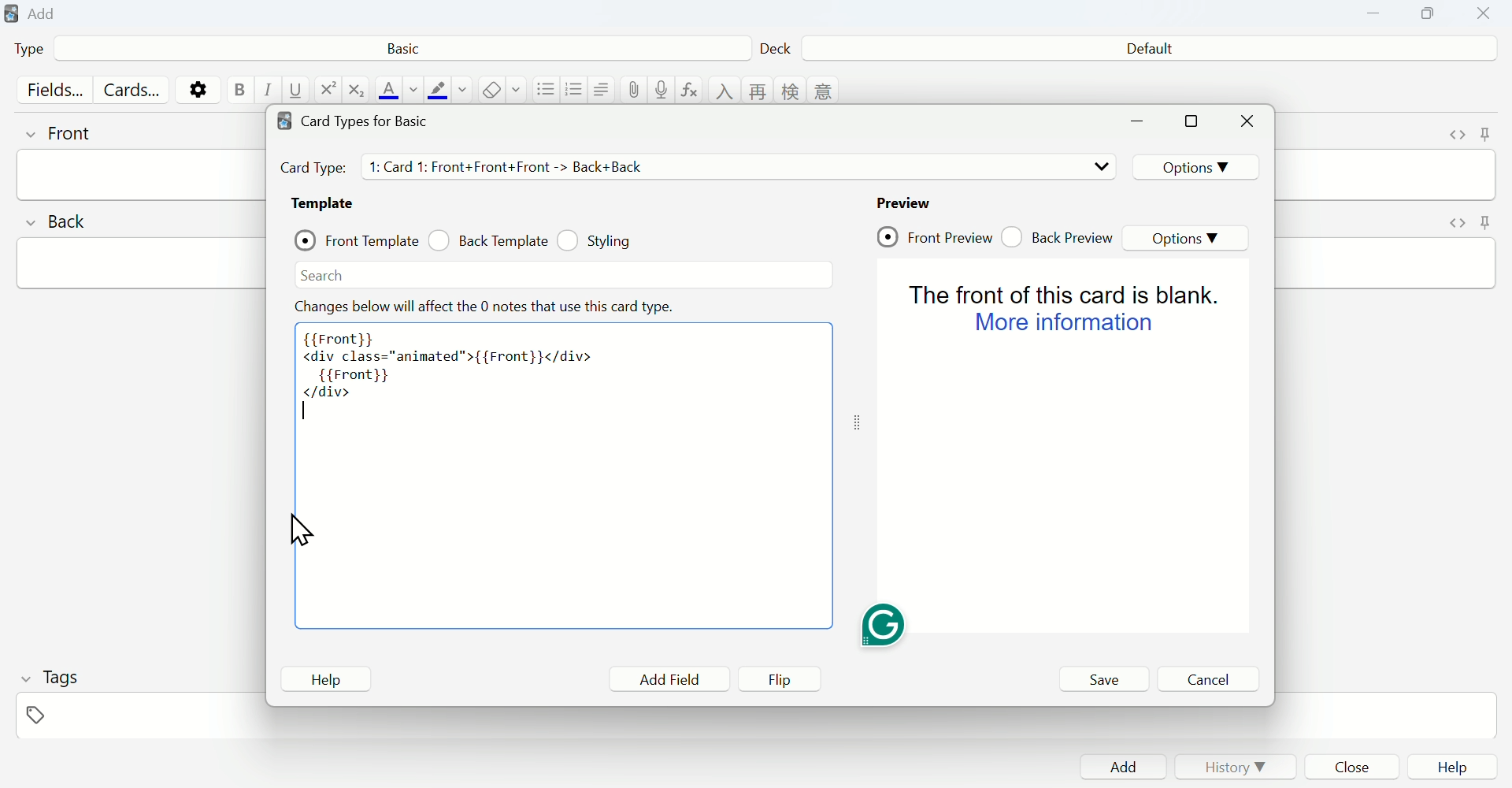 The height and width of the screenshot is (788, 1512). I want to click on underline text, so click(296, 90).